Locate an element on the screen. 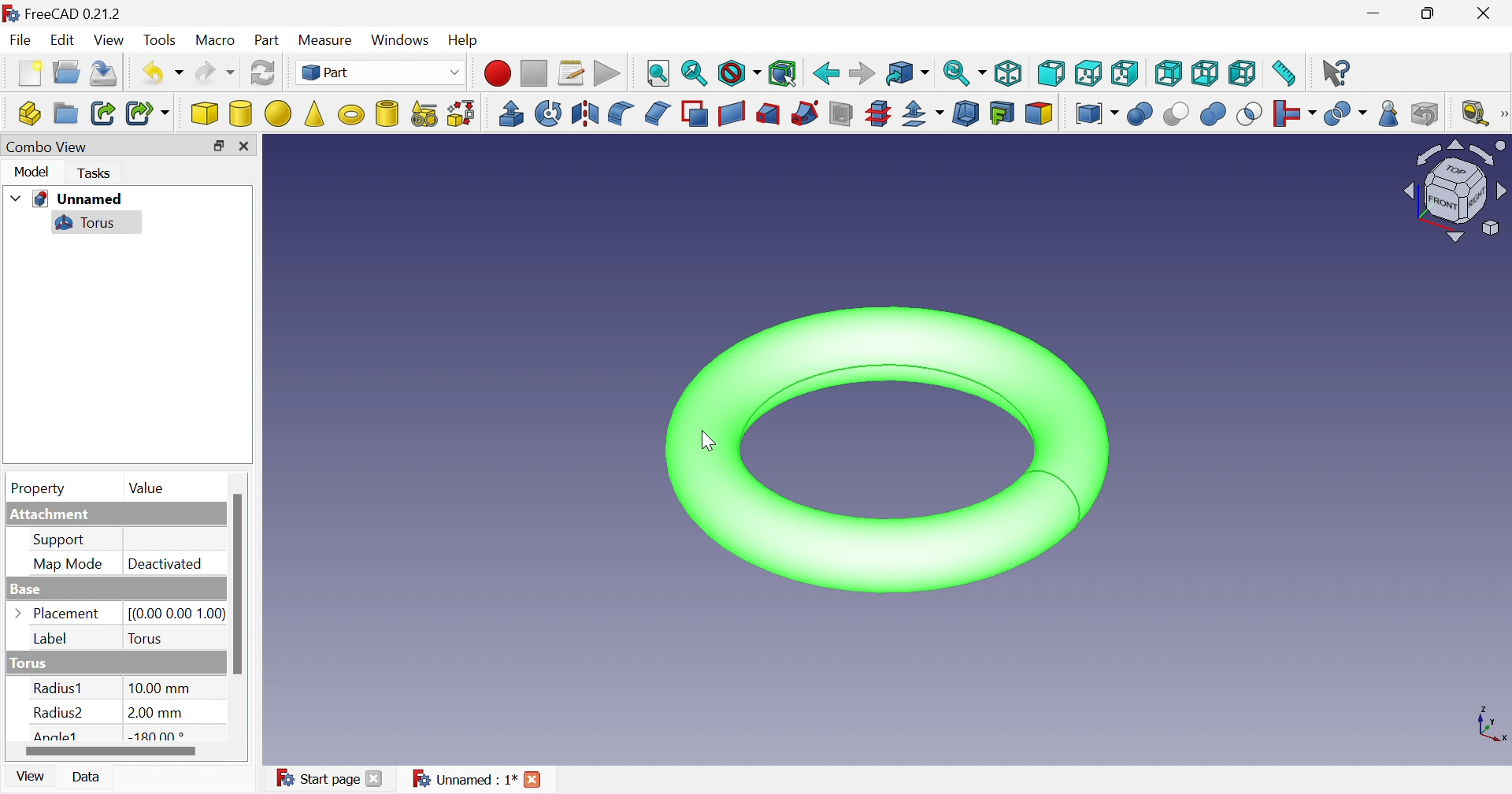 This screenshot has height=794, width=1512. Make sub-link is located at coordinates (148, 113).